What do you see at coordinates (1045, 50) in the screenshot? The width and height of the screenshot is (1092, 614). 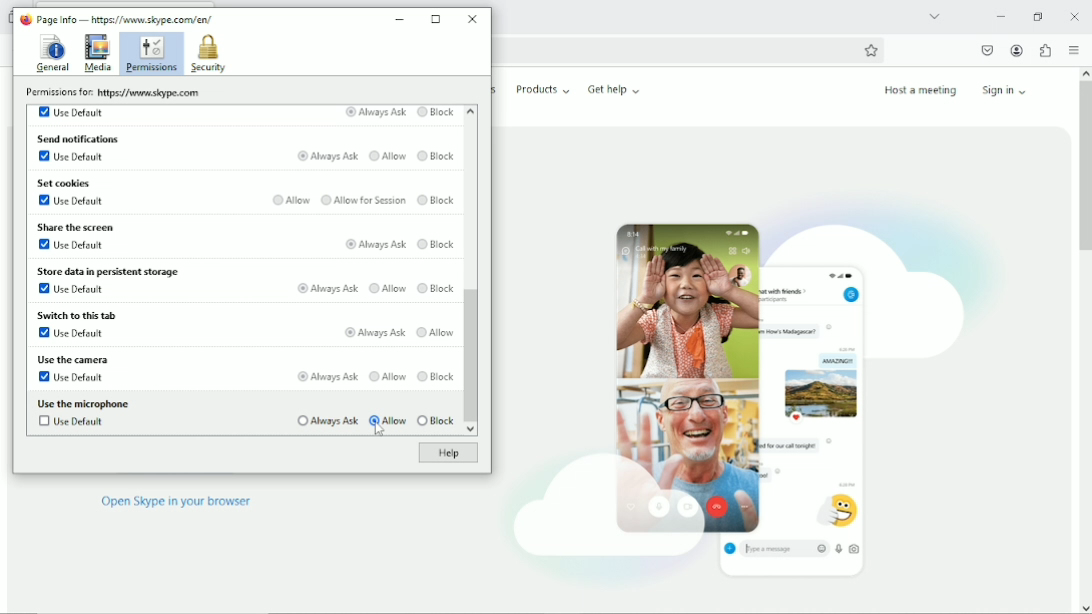 I see `Extensions` at bounding box center [1045, 50].